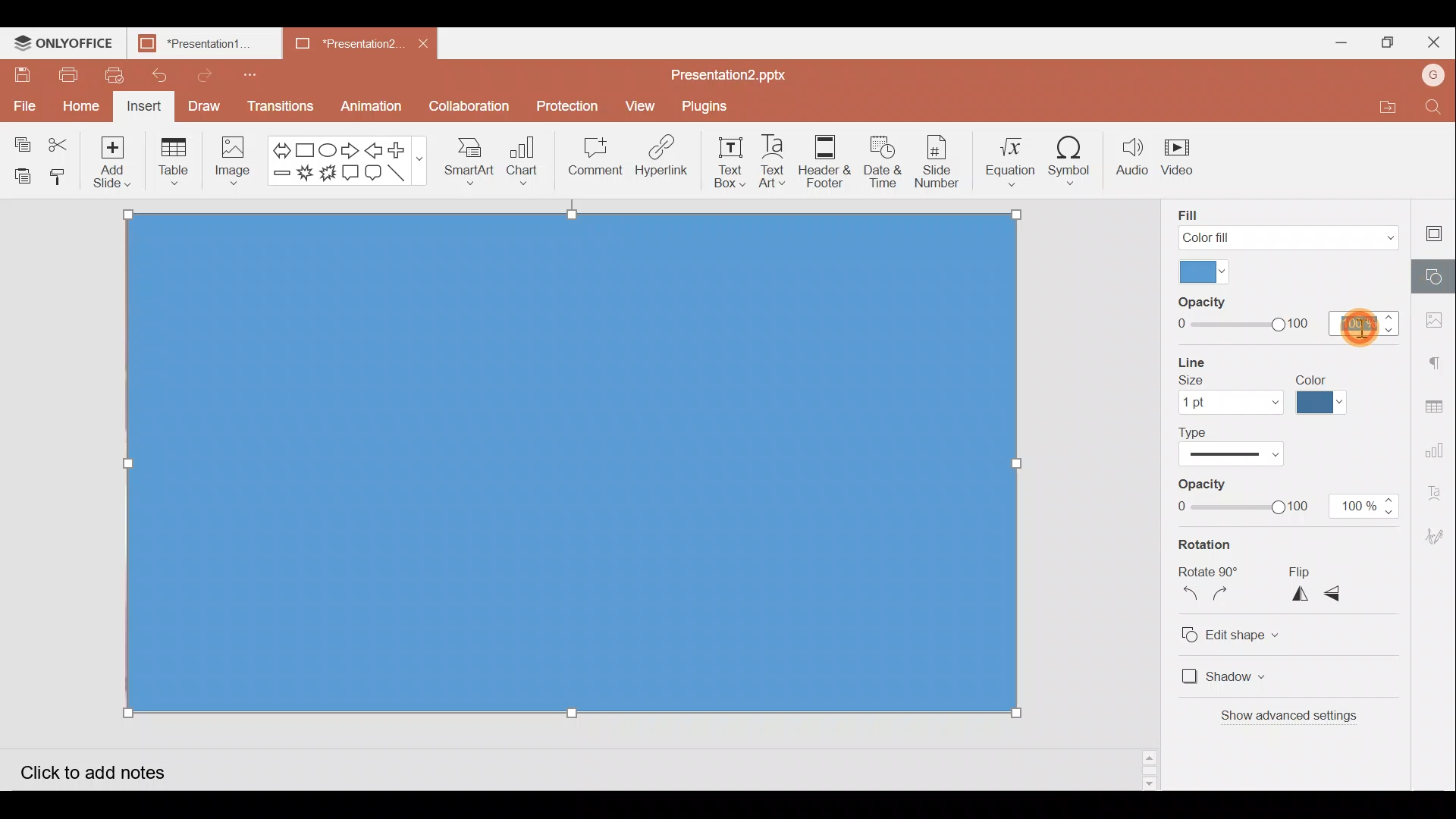 The image size is (1456, 819). I want to click on Shadow, so click(1224, 677).